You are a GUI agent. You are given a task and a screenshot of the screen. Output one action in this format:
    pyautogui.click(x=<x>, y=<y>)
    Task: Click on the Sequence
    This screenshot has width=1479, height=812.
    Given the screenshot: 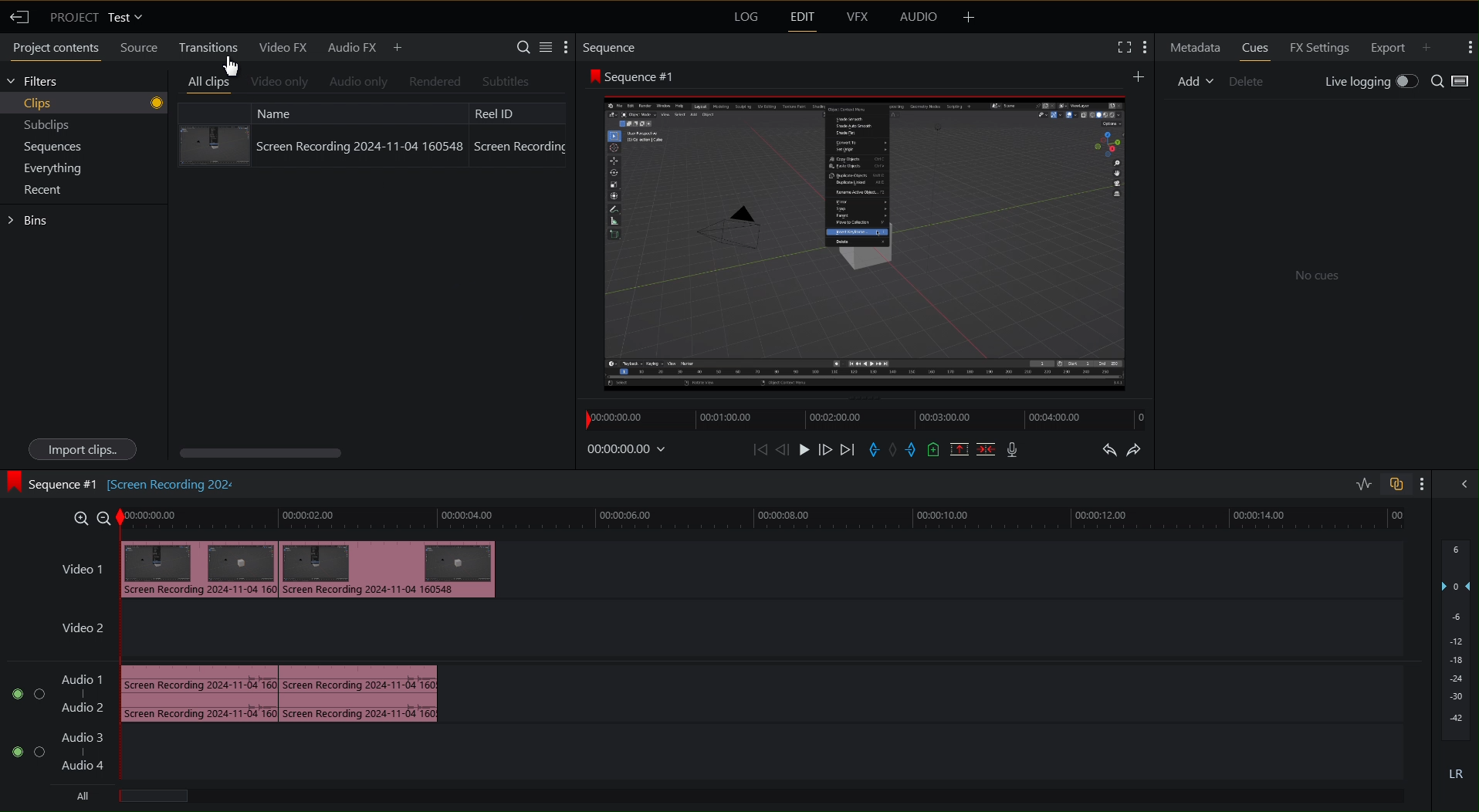 What is the action you would take?
    pyautogui.click(x=611, y=46)
    